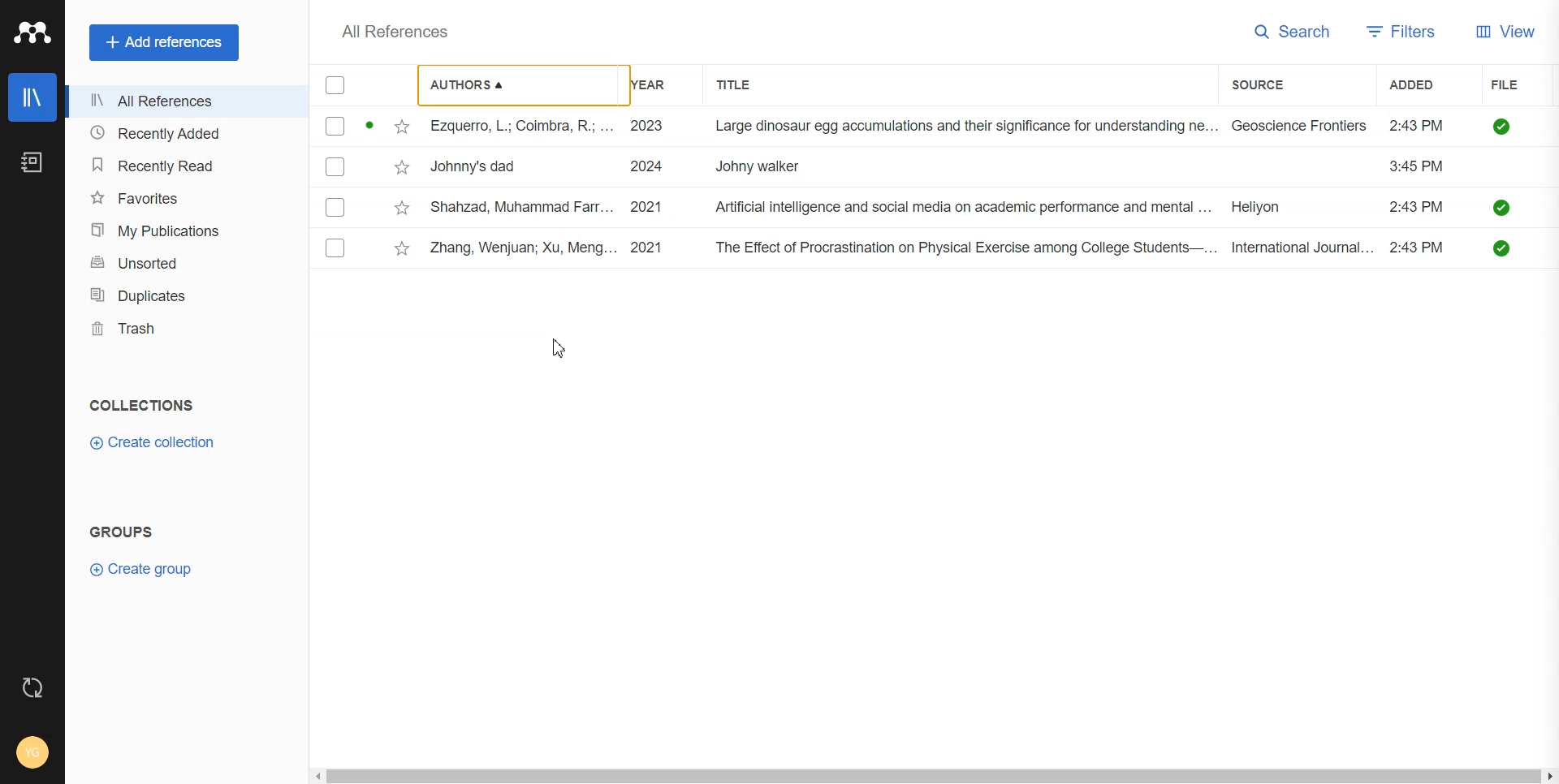 The height and width of the screenshot is (784, 1559). What do you see at coordinates (163, 41) in the screenshot?
I see `Add Preferences` at bounding box center [163, 41].